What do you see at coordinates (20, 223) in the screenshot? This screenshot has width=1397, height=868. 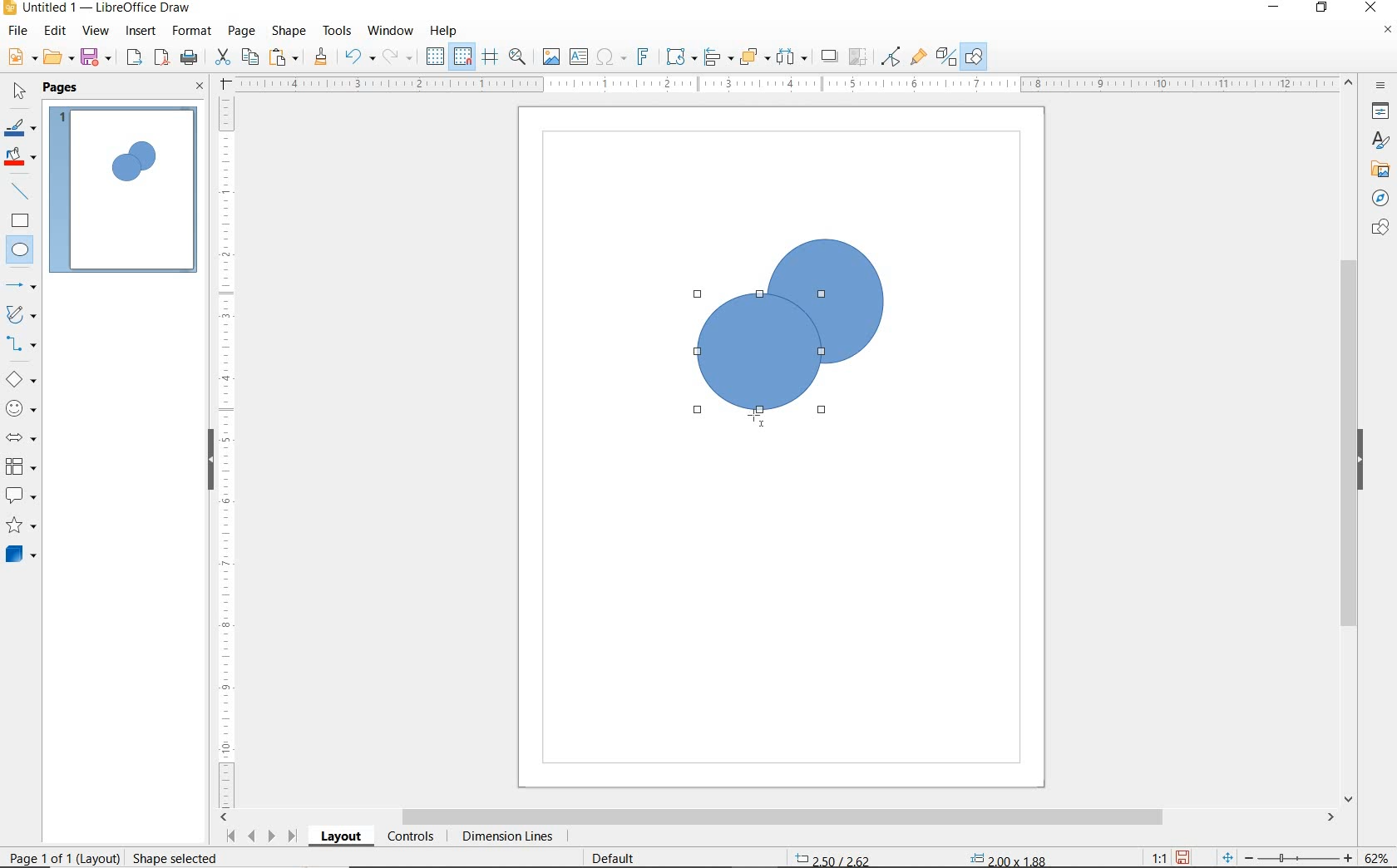 I see `RECTANGLE` at bounding box center [20, 223].